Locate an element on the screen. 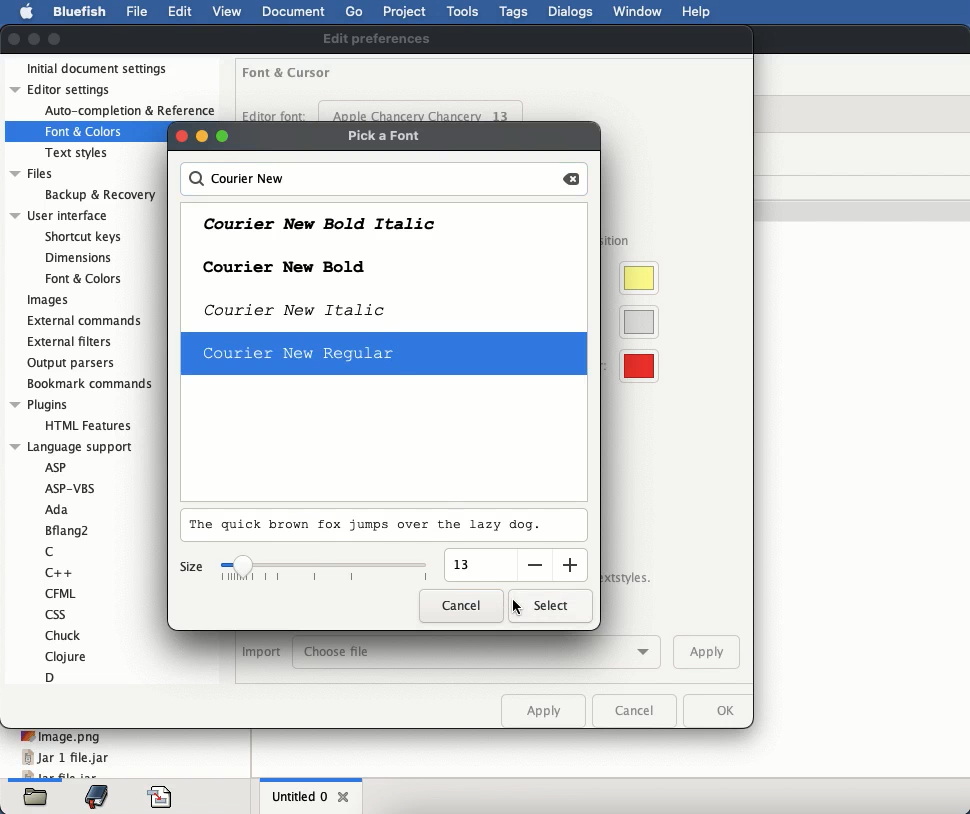  apple chancery chancery  is located at coordinates (424, 112).